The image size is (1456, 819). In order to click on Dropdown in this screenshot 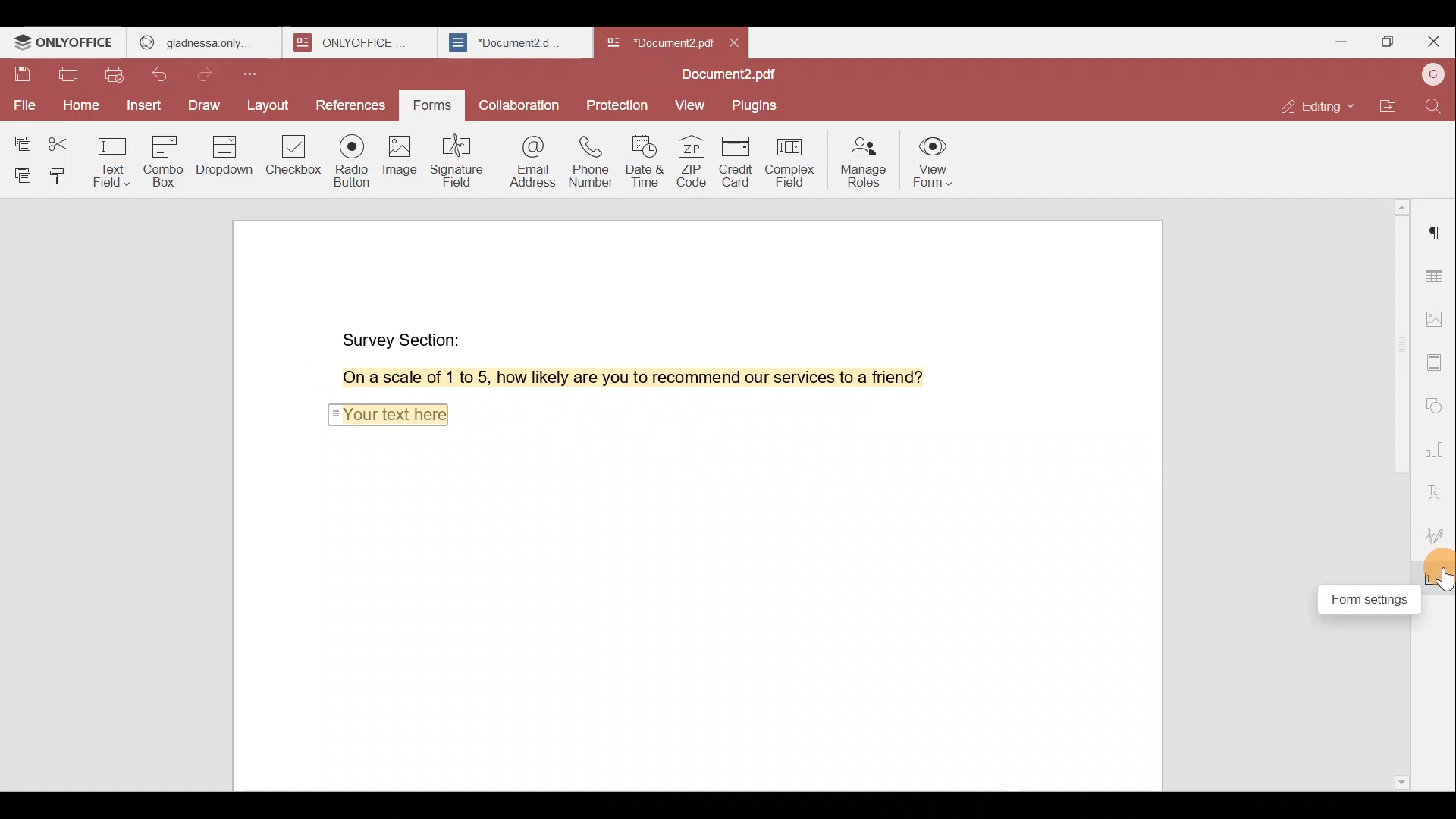, I will do `click(227, 155)`.